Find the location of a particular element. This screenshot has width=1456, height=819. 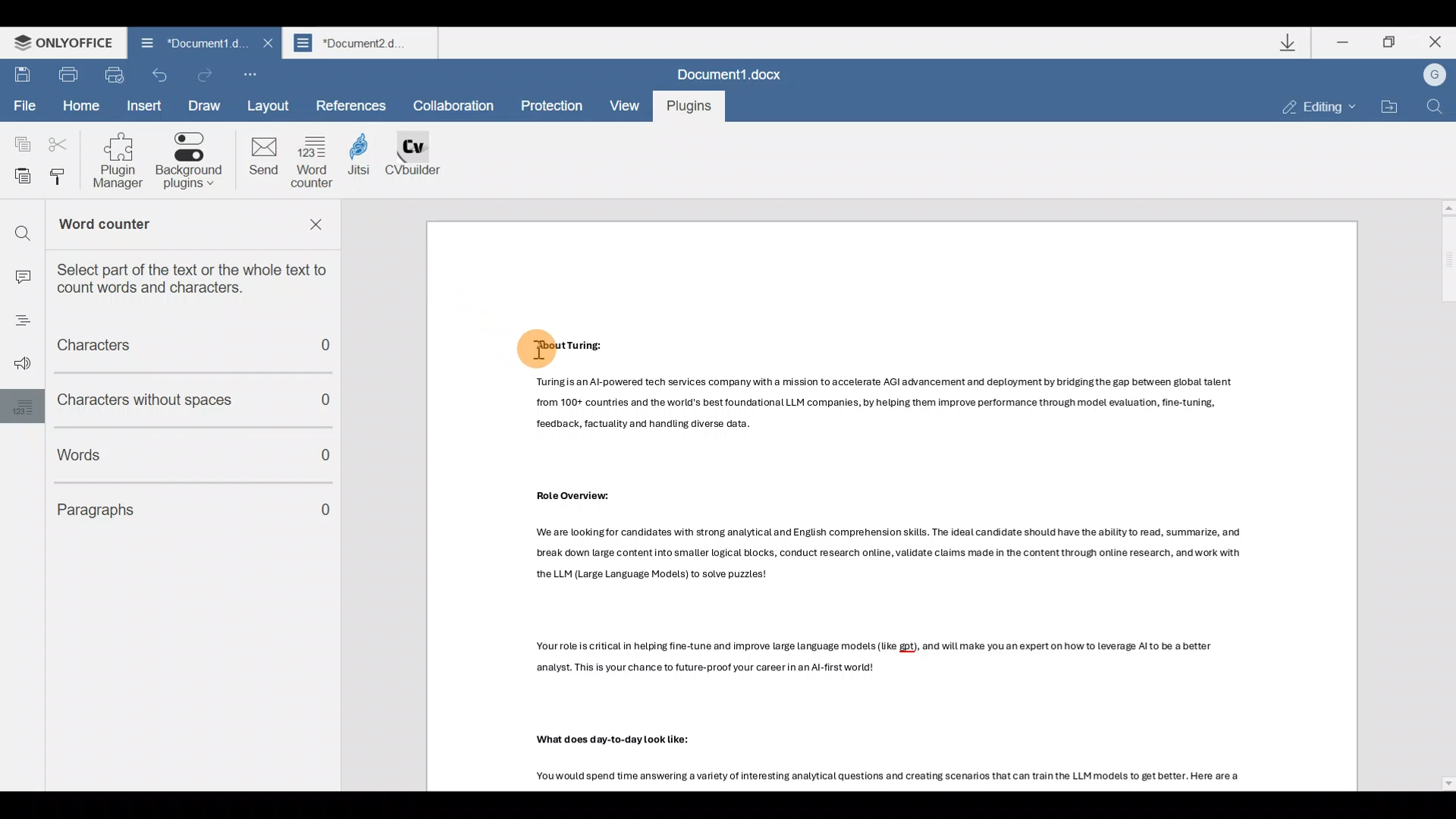

Select part of the text or the whole text to count words & characters is located at coordinates (202, 278).